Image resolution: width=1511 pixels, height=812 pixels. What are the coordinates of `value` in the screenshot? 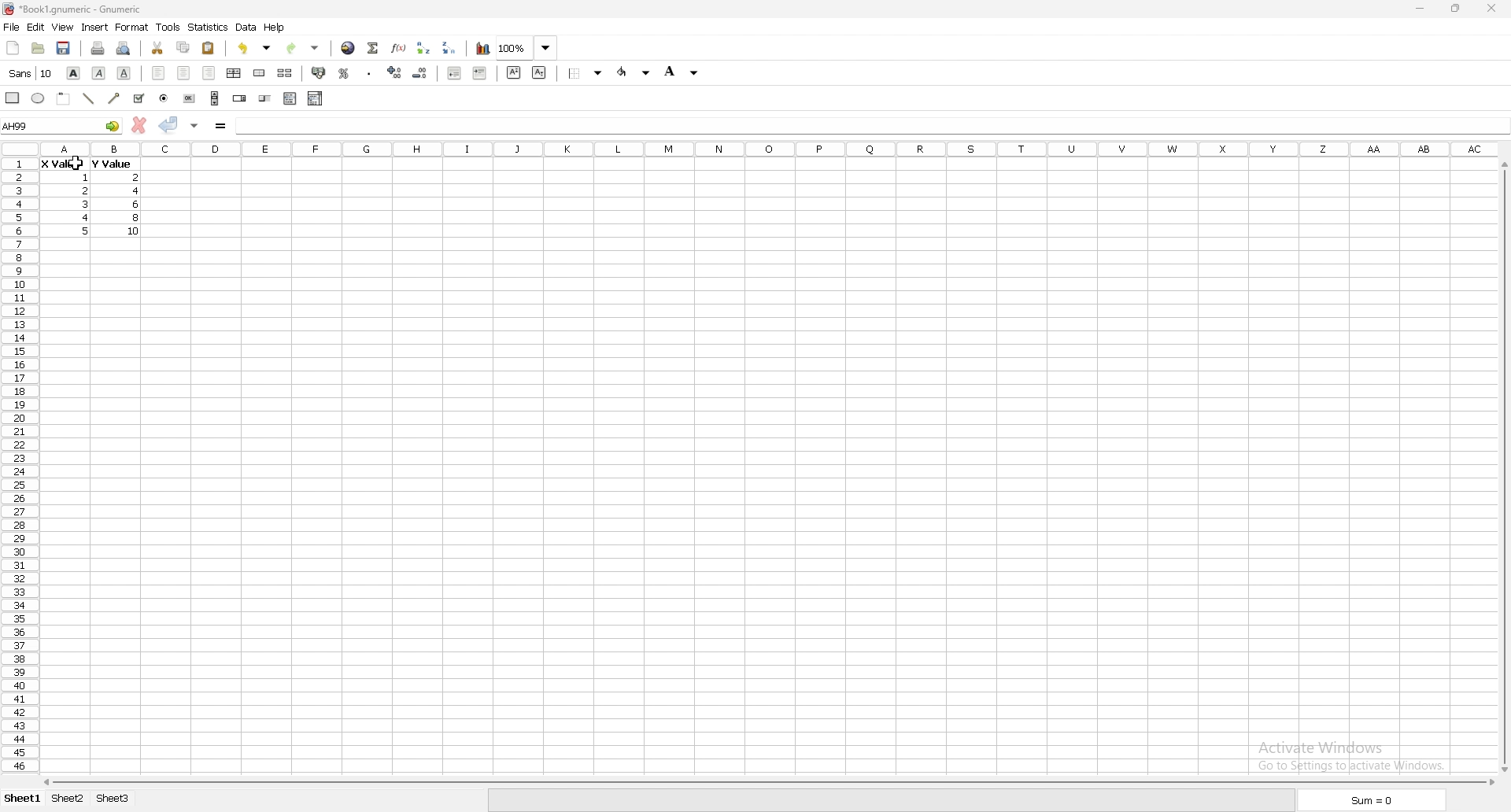 It's located at (61, 165).